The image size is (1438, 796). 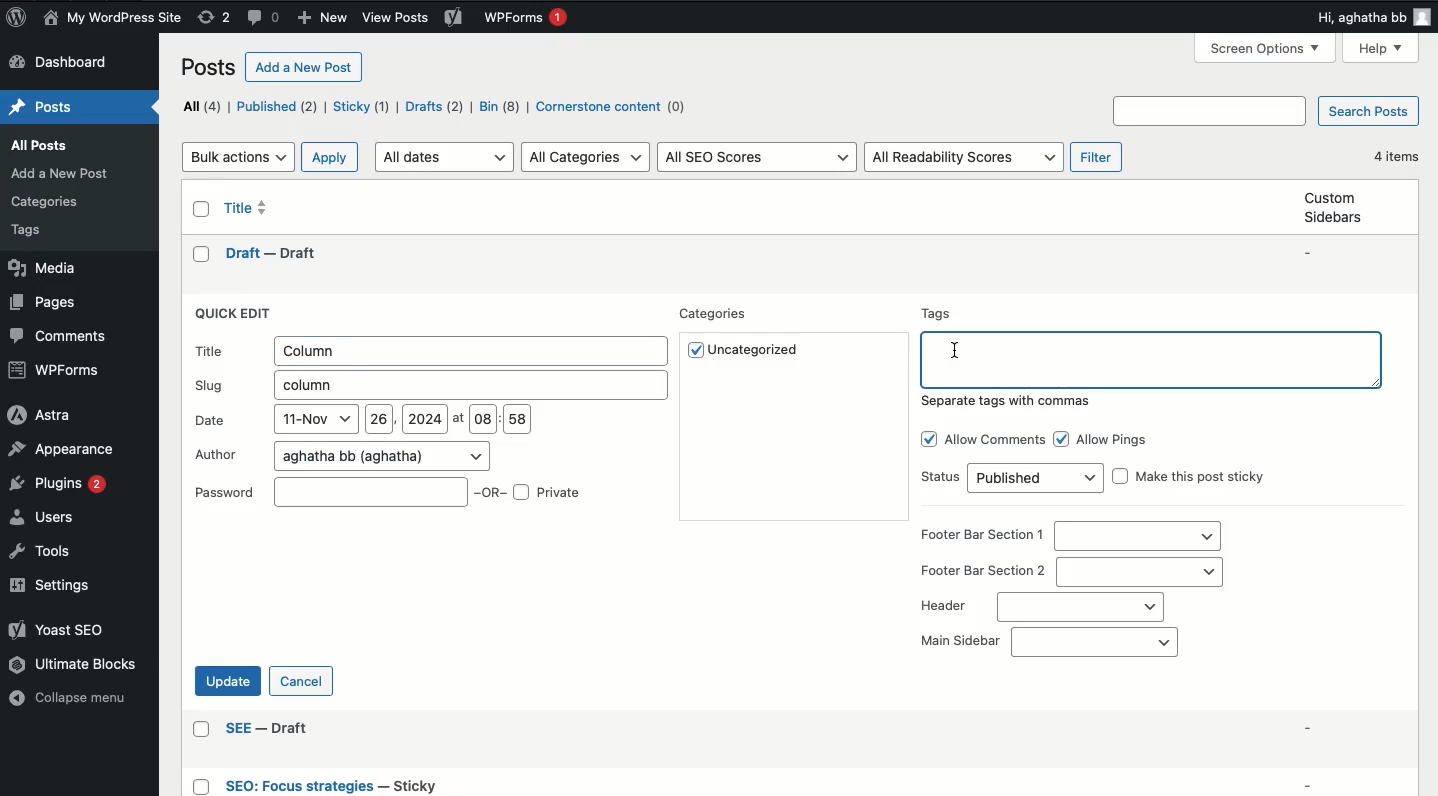 I want to click on Password, so click(x=328, y=491).